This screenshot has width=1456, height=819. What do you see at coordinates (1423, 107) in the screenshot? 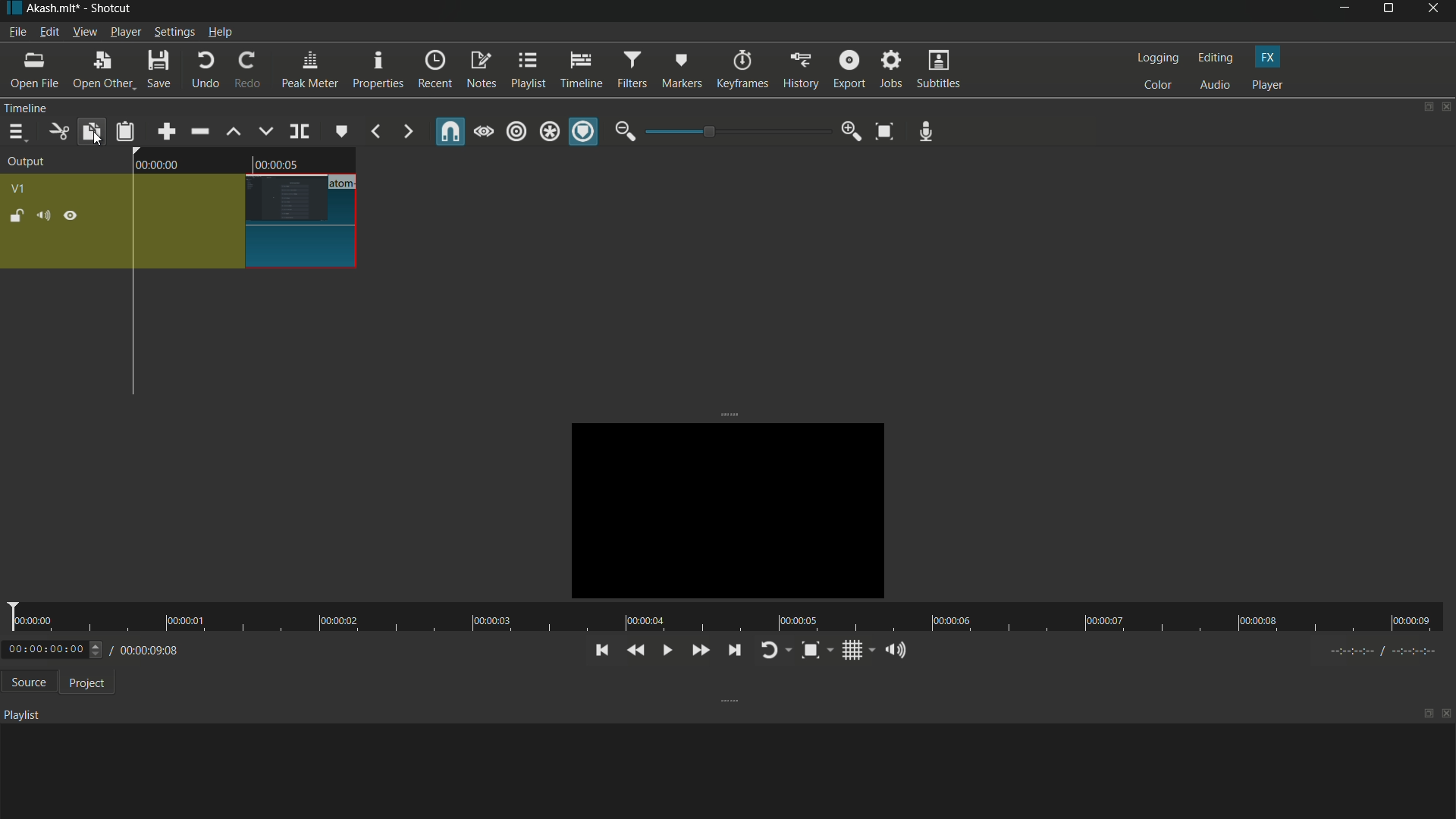
I see `change layout` at bounding box center [1423, 107].